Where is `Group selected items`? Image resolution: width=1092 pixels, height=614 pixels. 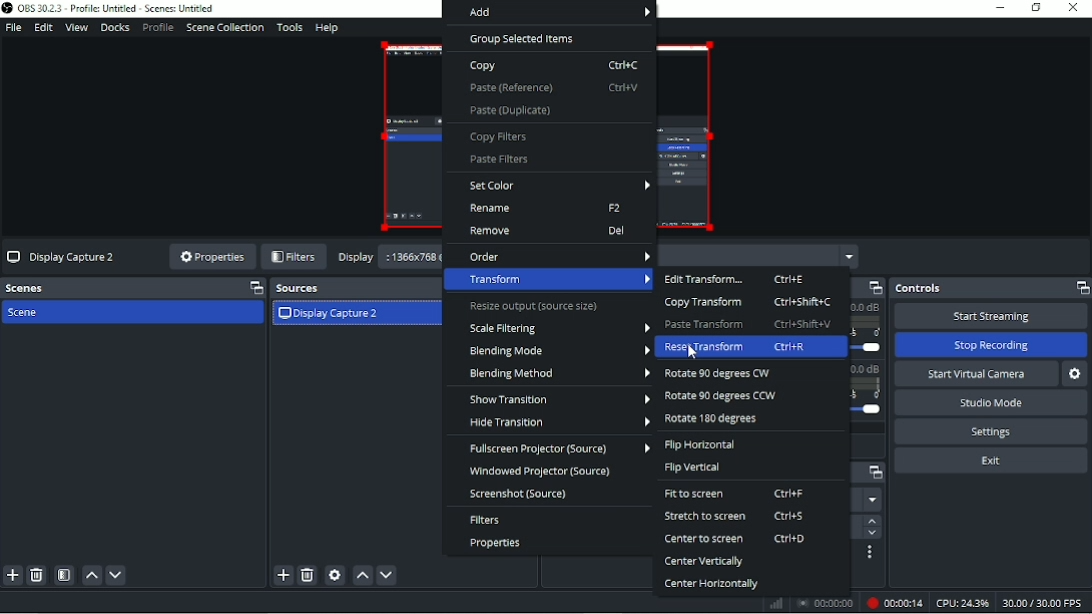
Group selected items is located at coordinates (523, 39).